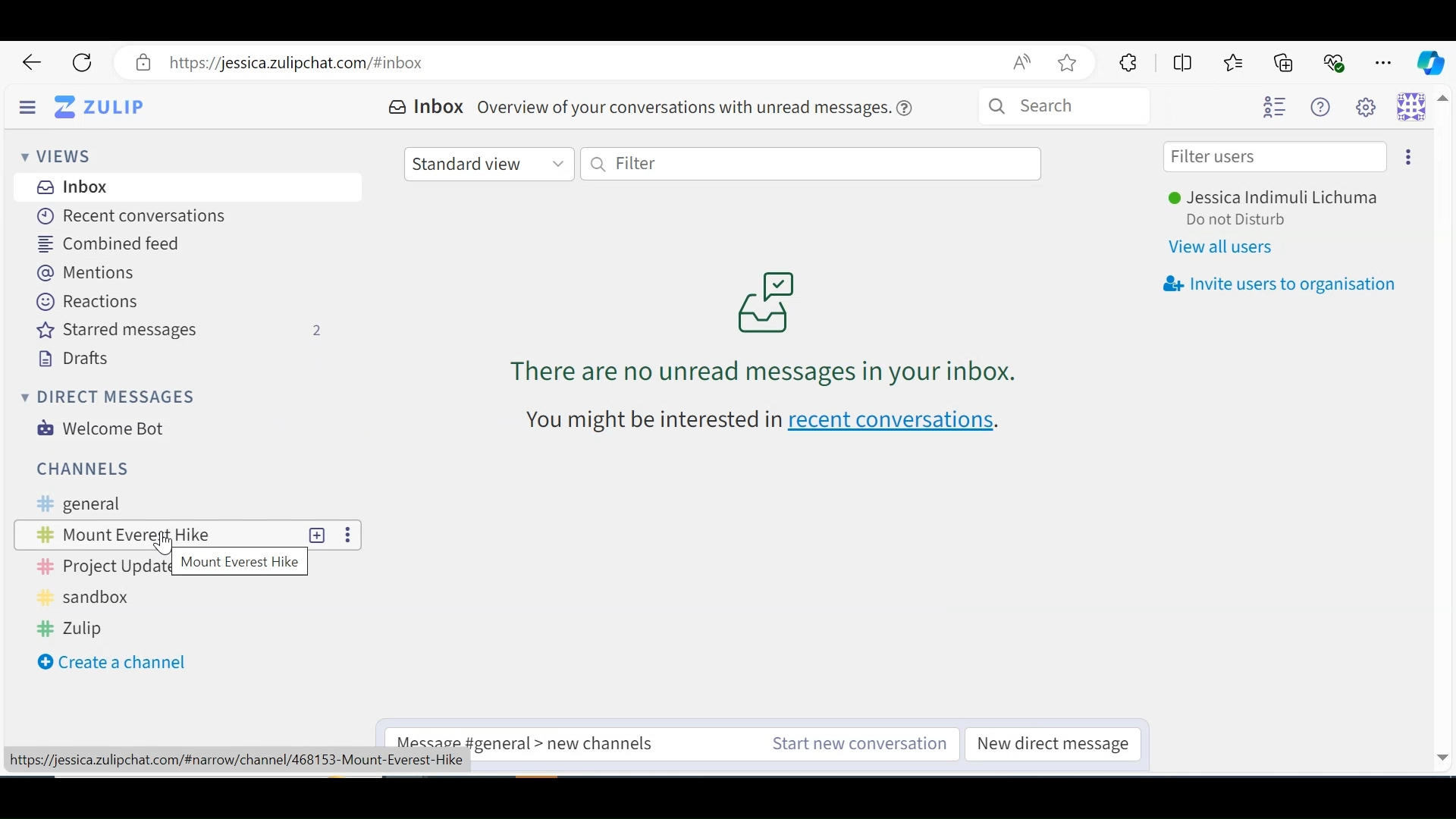 The height and width of the screenshot is (819, 1456). I want to click on New Topic, so click(318, 534).